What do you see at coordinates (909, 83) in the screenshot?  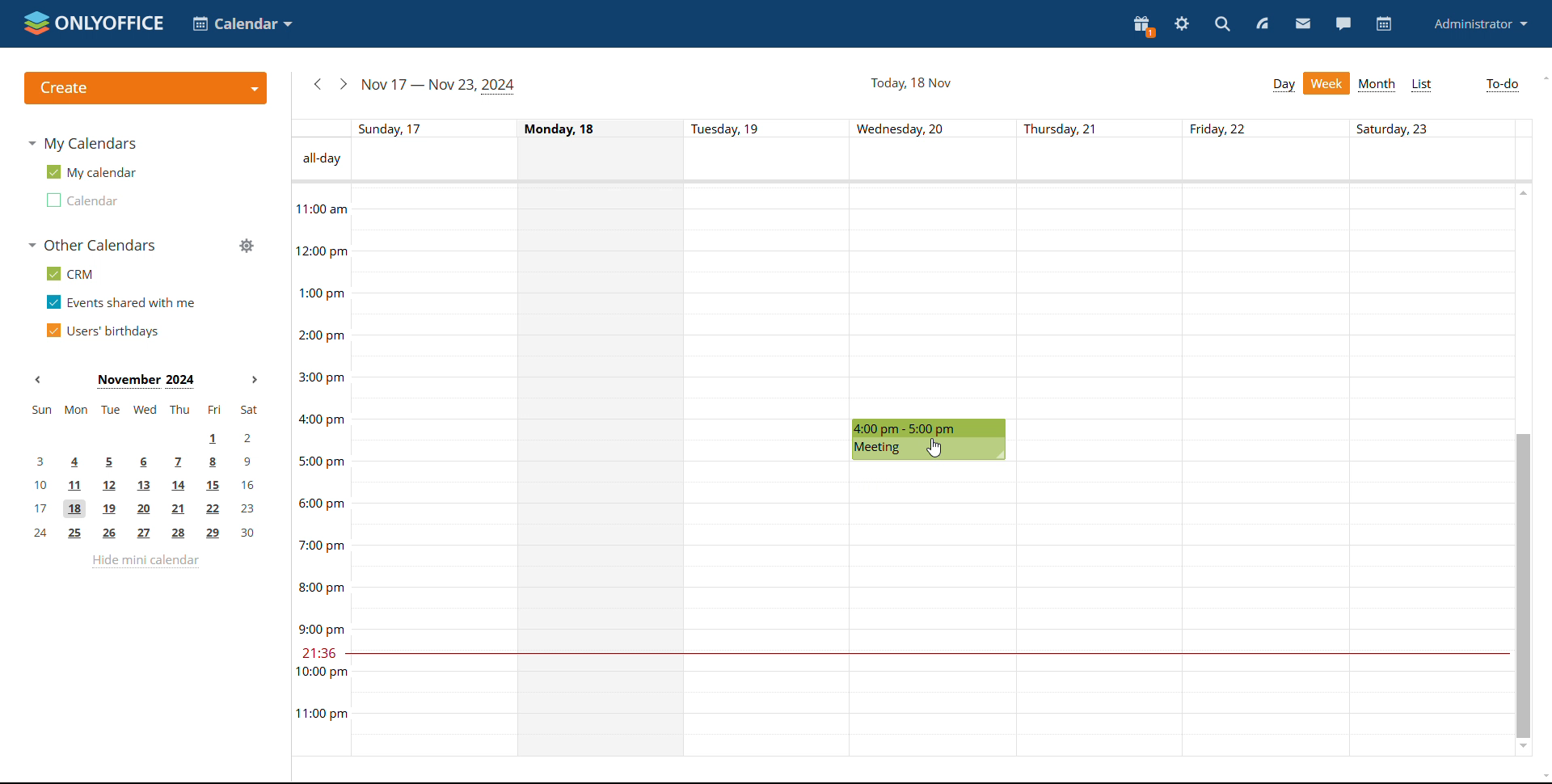 I see `current date` at bounding box center [909, 83].